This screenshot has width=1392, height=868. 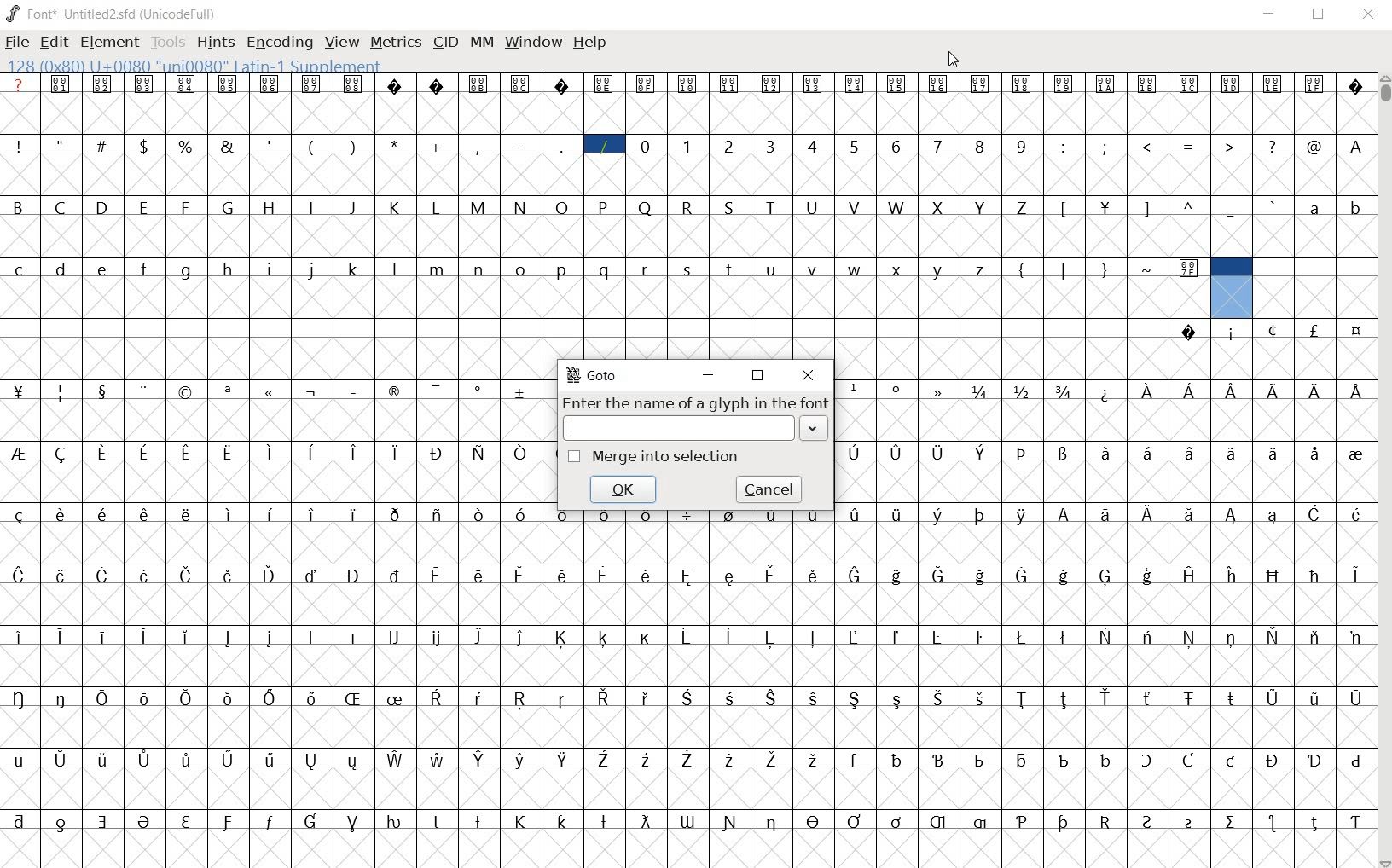 What do you see at coordinates (1315, 574) in the screenshot?
I see `Symbol` at bounding box center [1315, 574].